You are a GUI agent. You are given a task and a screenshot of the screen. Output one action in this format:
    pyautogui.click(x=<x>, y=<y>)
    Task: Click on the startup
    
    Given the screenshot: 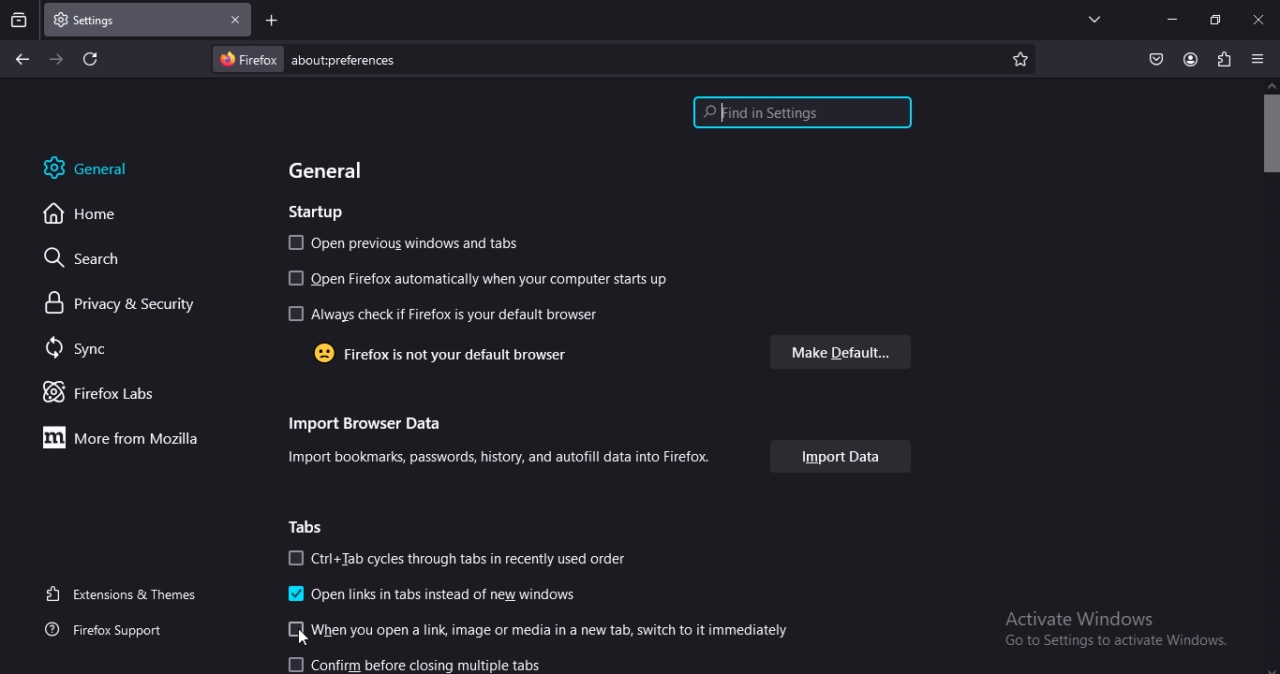 What is the action you would take?
    pyautogui.click(x=316, y=213)
    